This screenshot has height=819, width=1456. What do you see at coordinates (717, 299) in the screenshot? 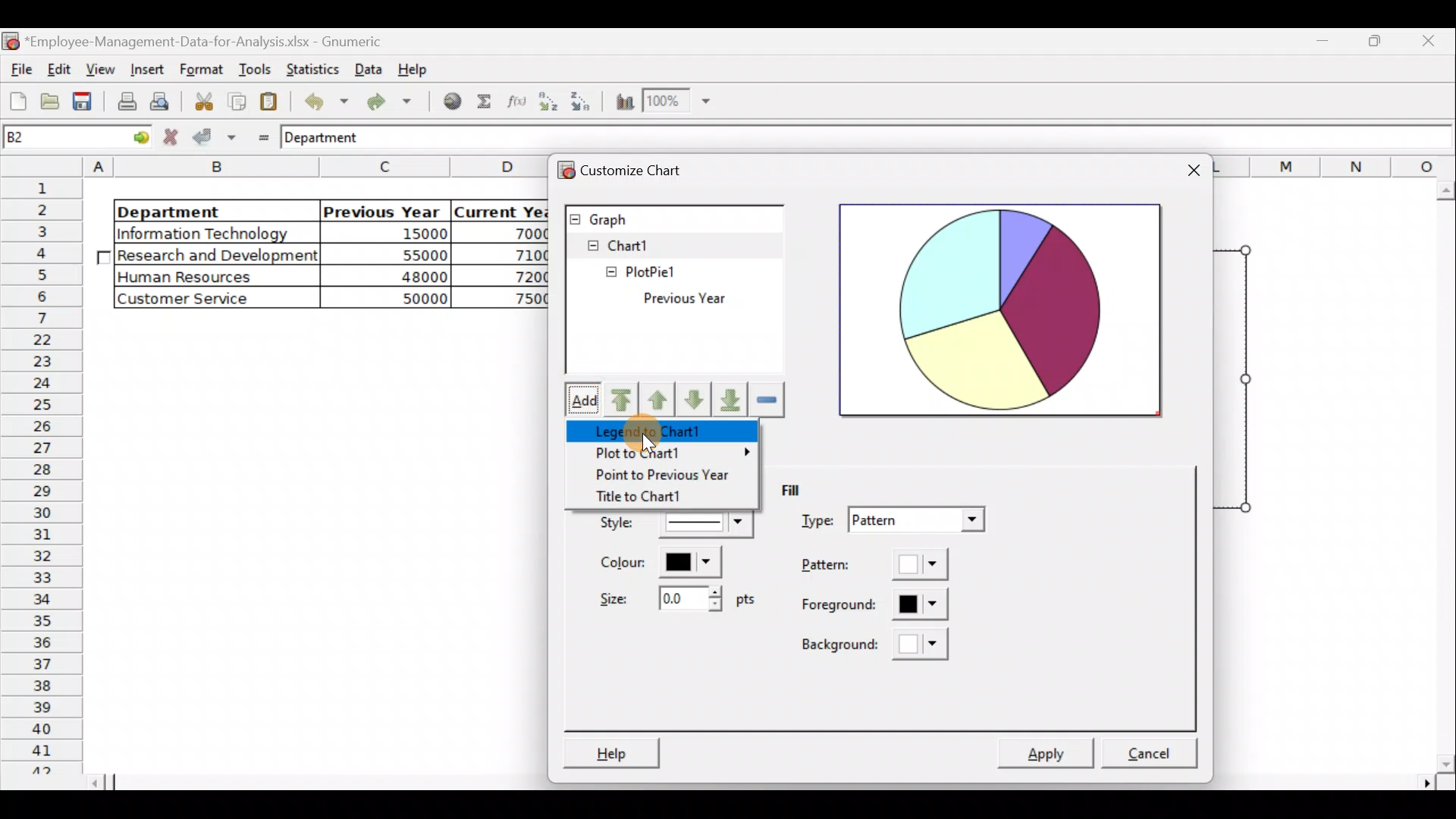
I see `Previous Year` at bounding box center [717, 299].